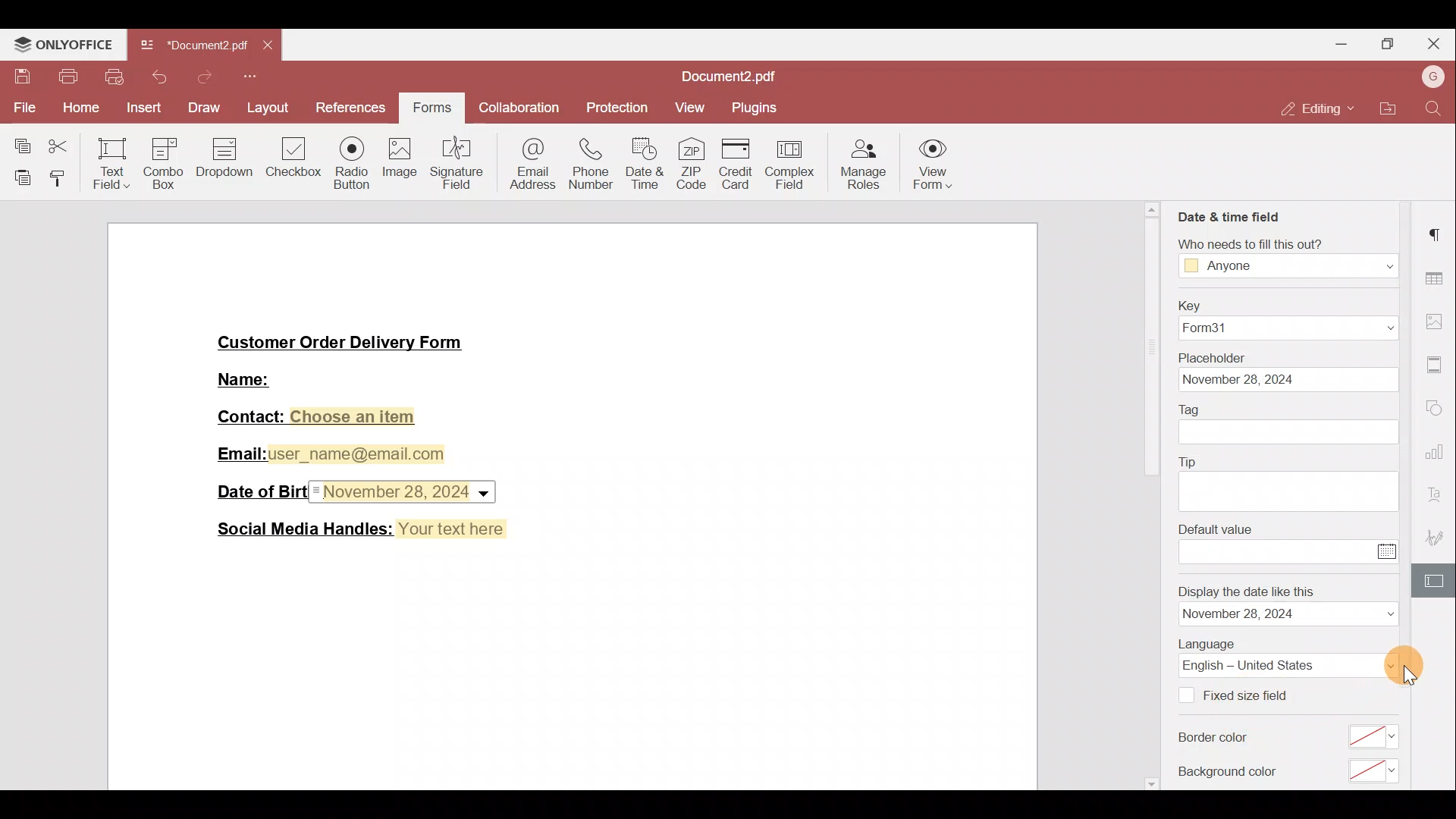 This screenshot has height=819, width=1456. What do you see at coordinates (63, 77) in the screenshot?
I see `Print file` at bounding box center [63, 77].